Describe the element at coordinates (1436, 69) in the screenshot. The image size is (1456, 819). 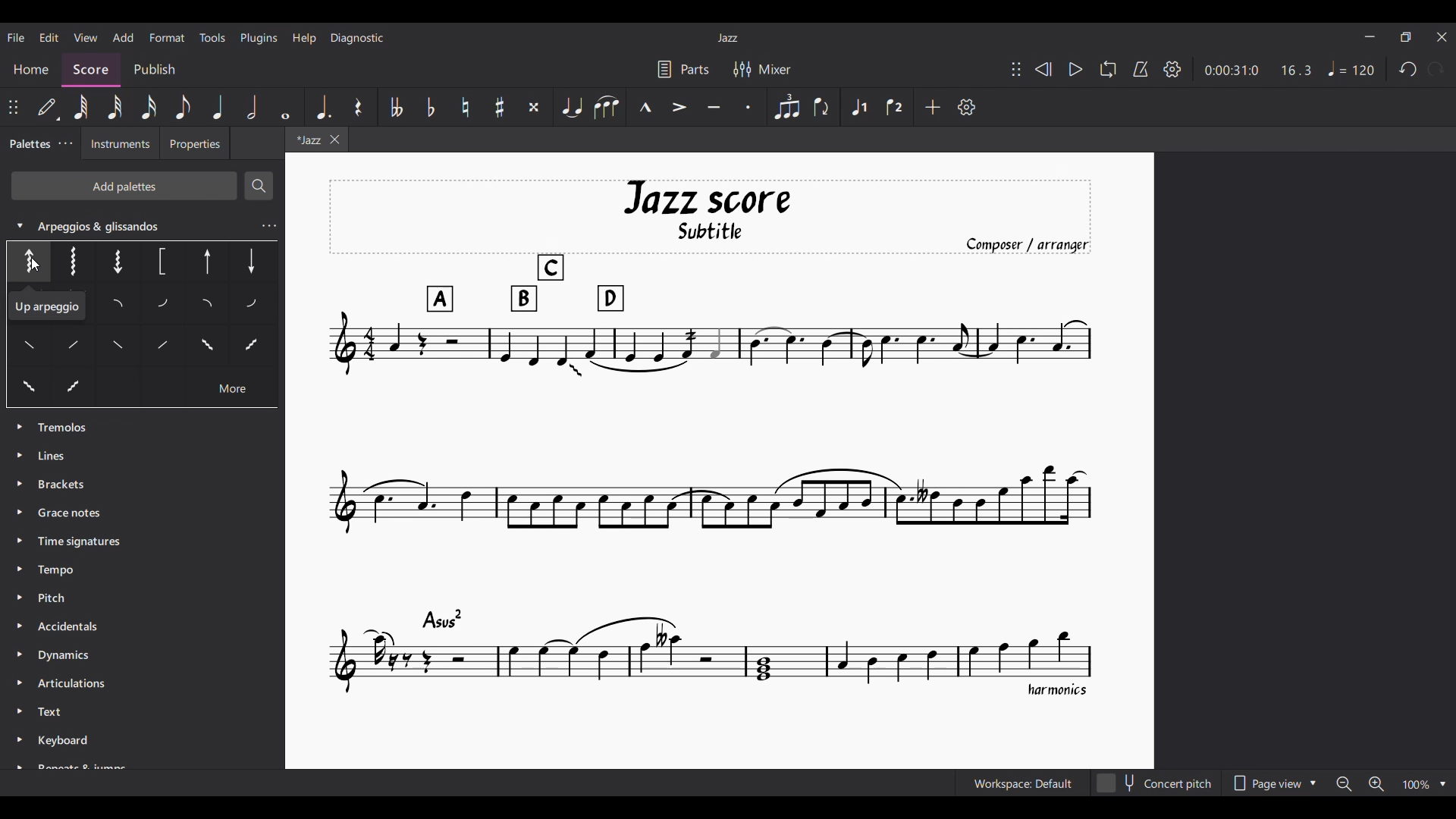
I see `Redo` at that location.